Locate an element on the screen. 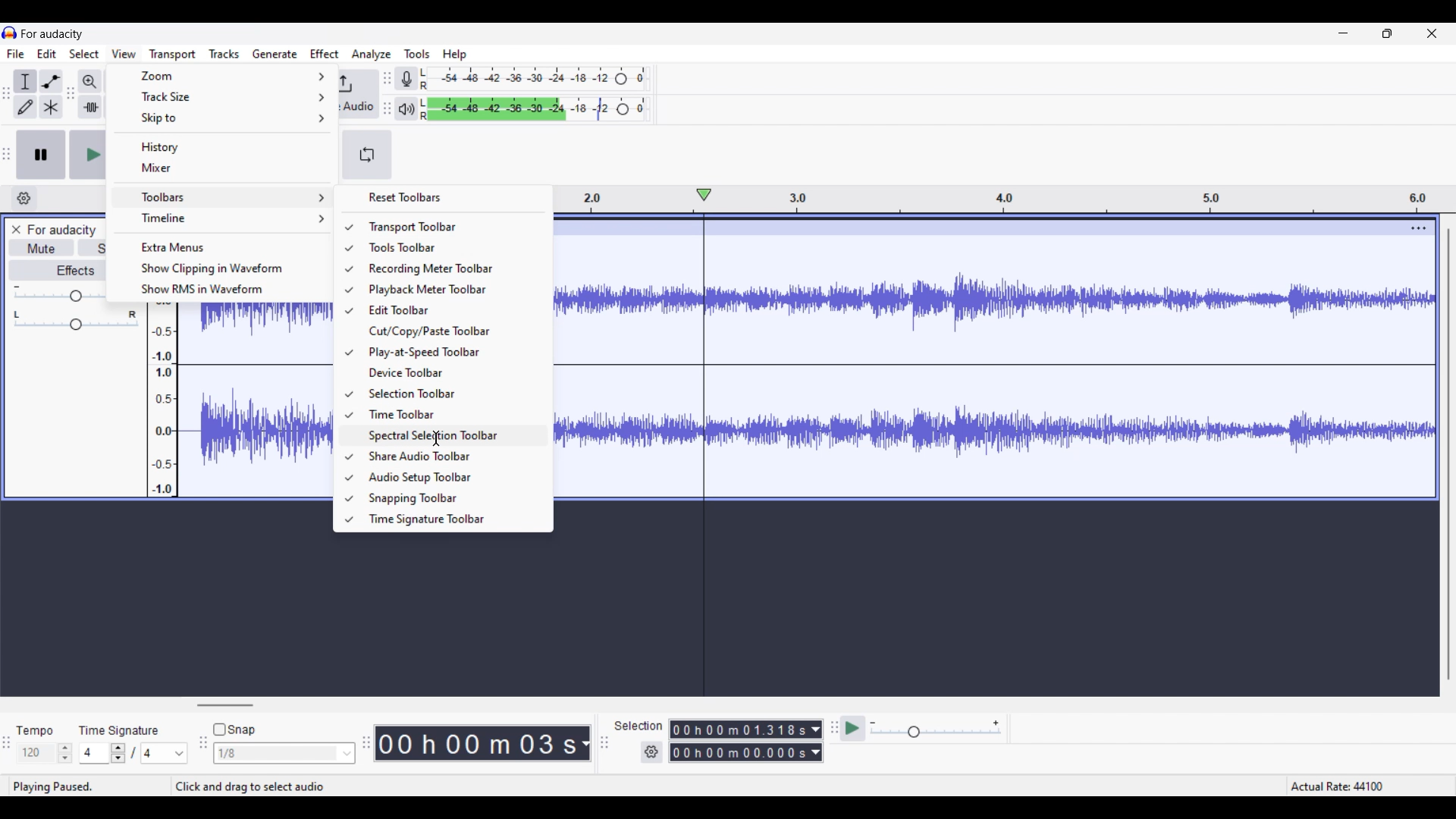 Image resolution: width=1456 pixels, height=819 pixels. Close interface is located at coordinates (1432, 33).